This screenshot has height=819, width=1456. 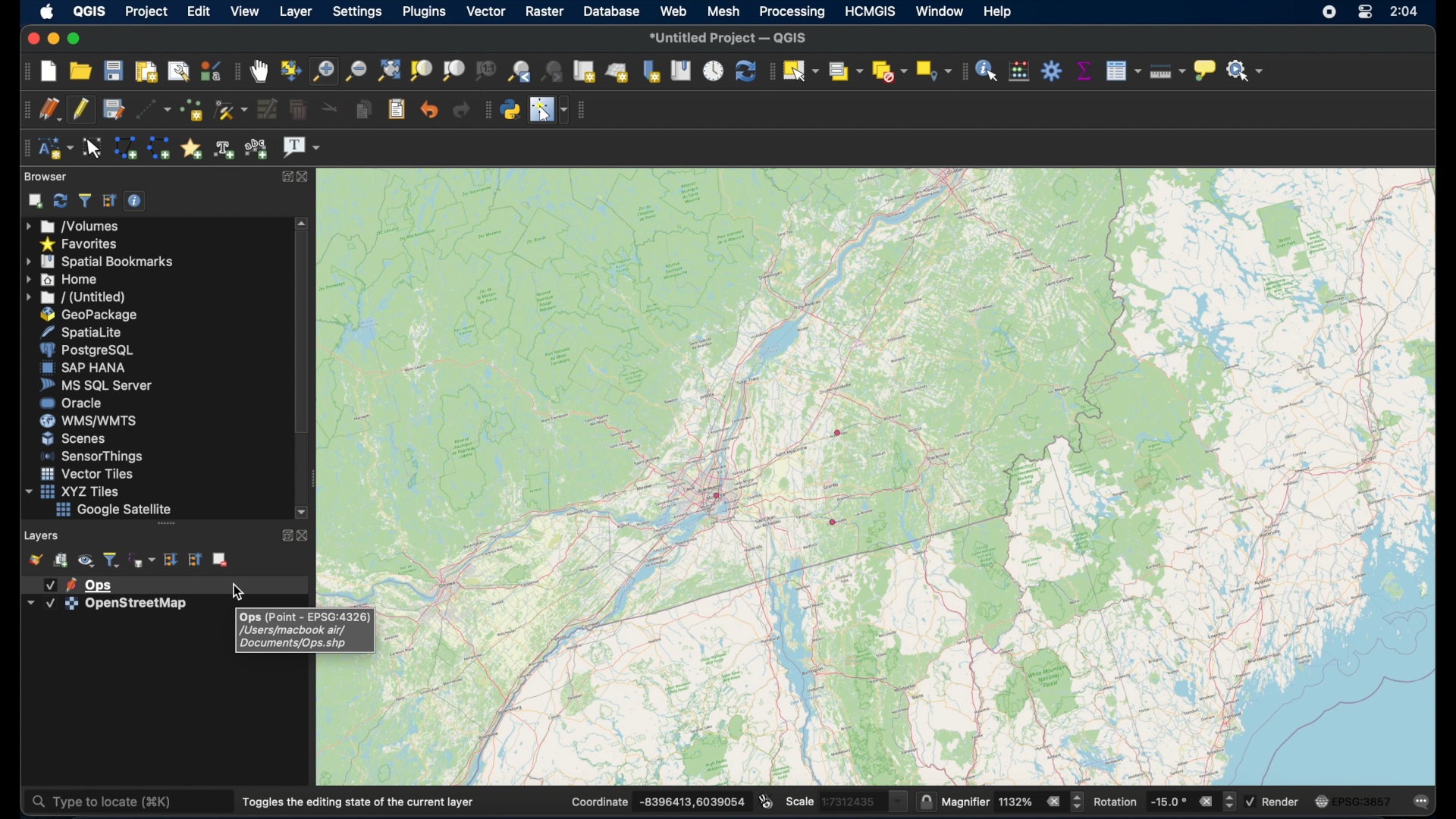 What do you see at coordinates (303, 335) in the screenshot?
I see `scroll box` at bounding box center [303, 335].